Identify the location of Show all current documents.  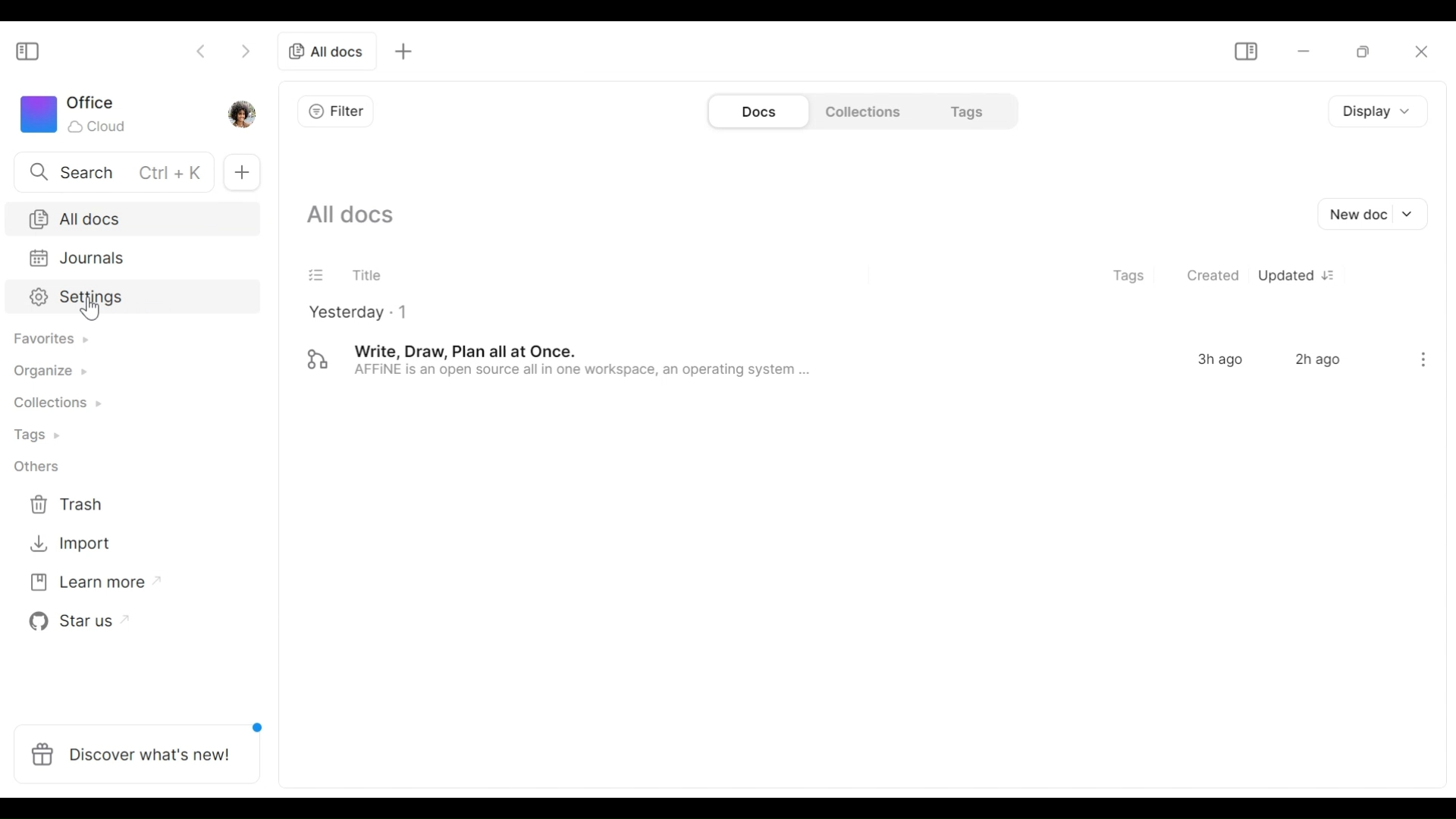
(344, 215).